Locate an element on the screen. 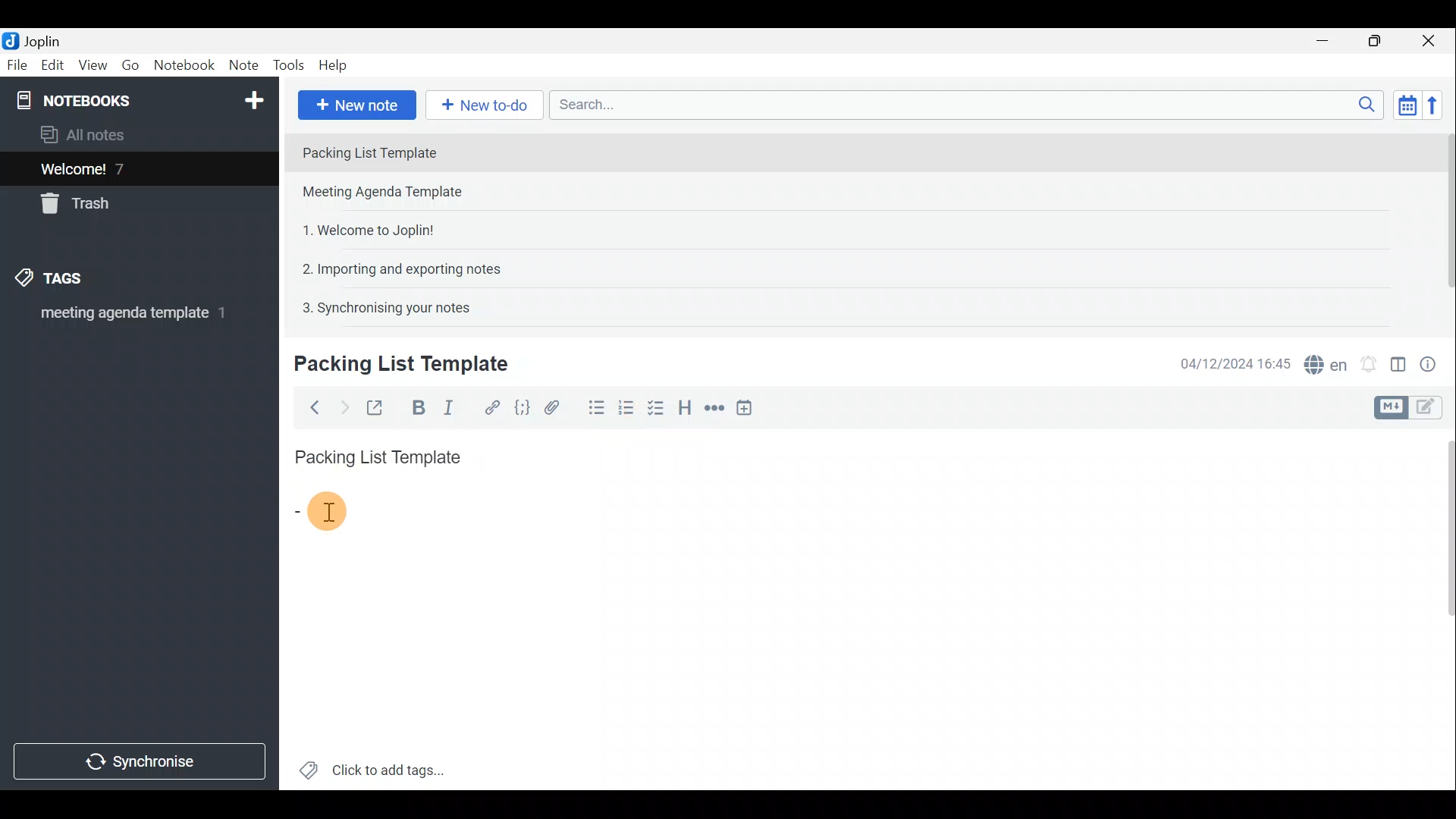  Horizontal rule is located at coordinates (712, 408).